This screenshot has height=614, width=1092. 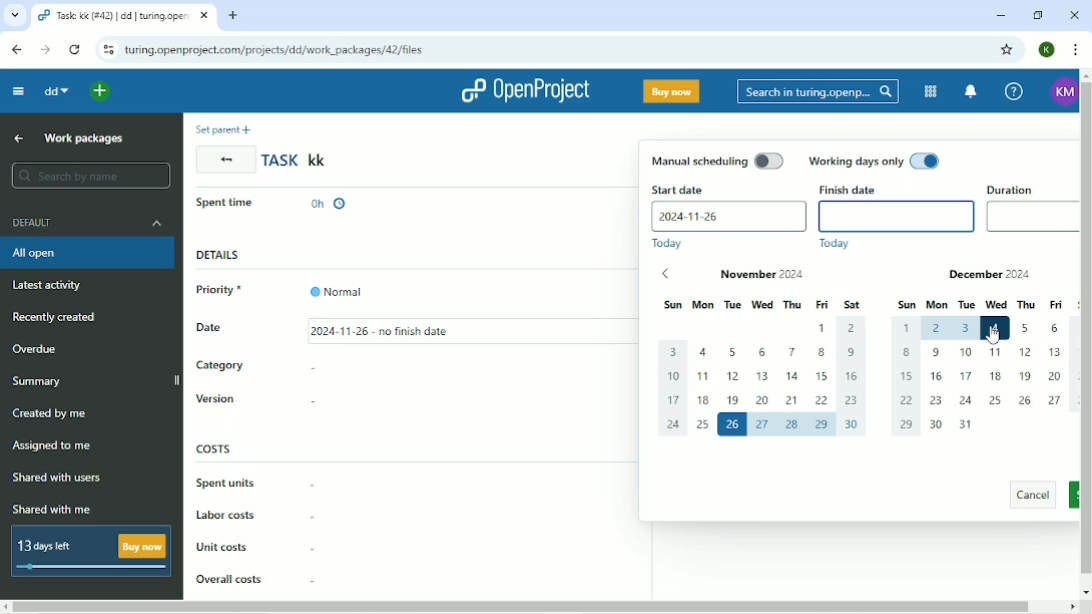 What do you see at coordinates (55, 318) in the screenshot?
I see `Recently added` at bounding box center [55, 318].